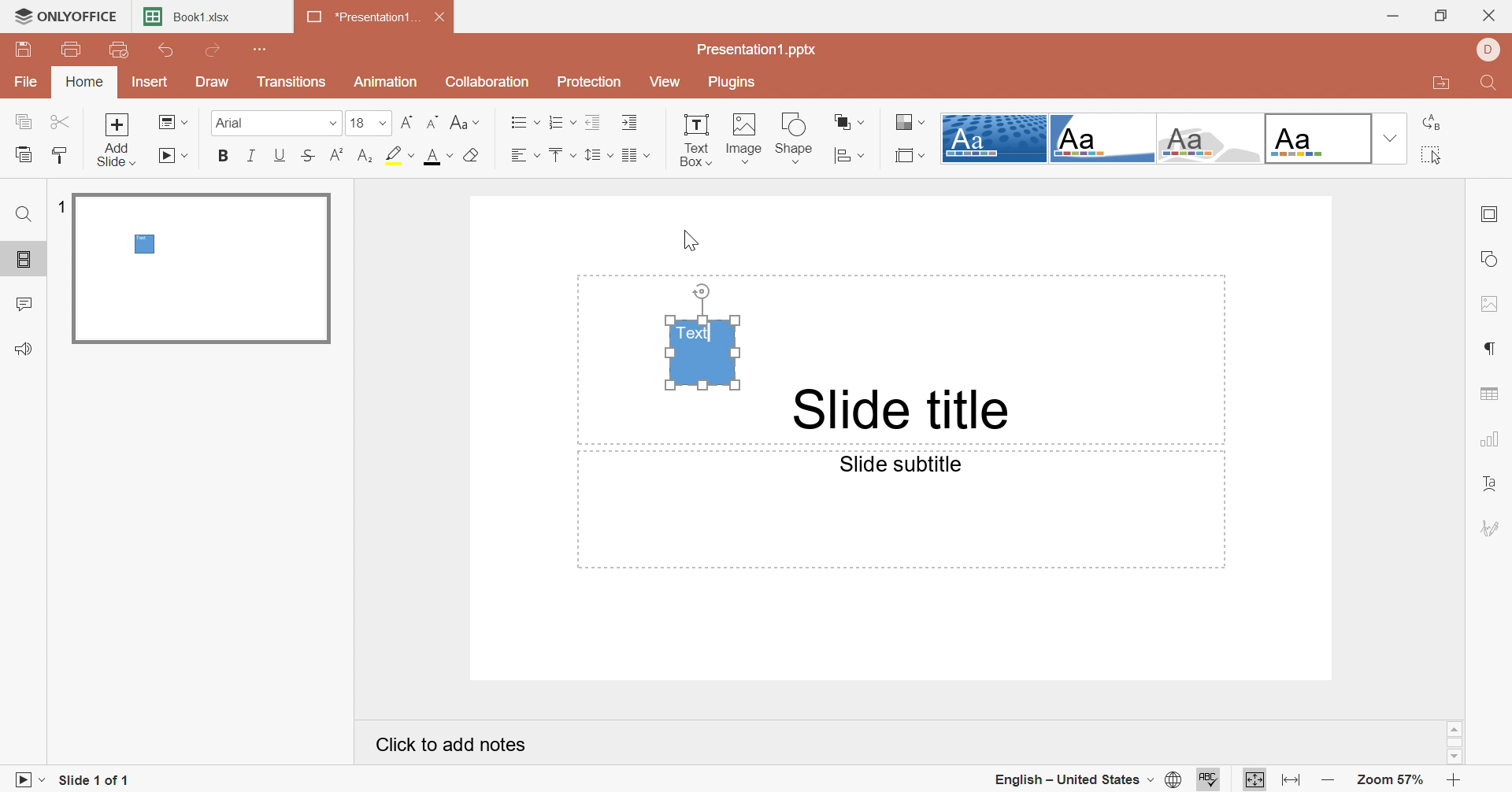 Image resolution: width=1512 pixels, height=792 pixels. I want to click on Image settings, so click(1492, 300).